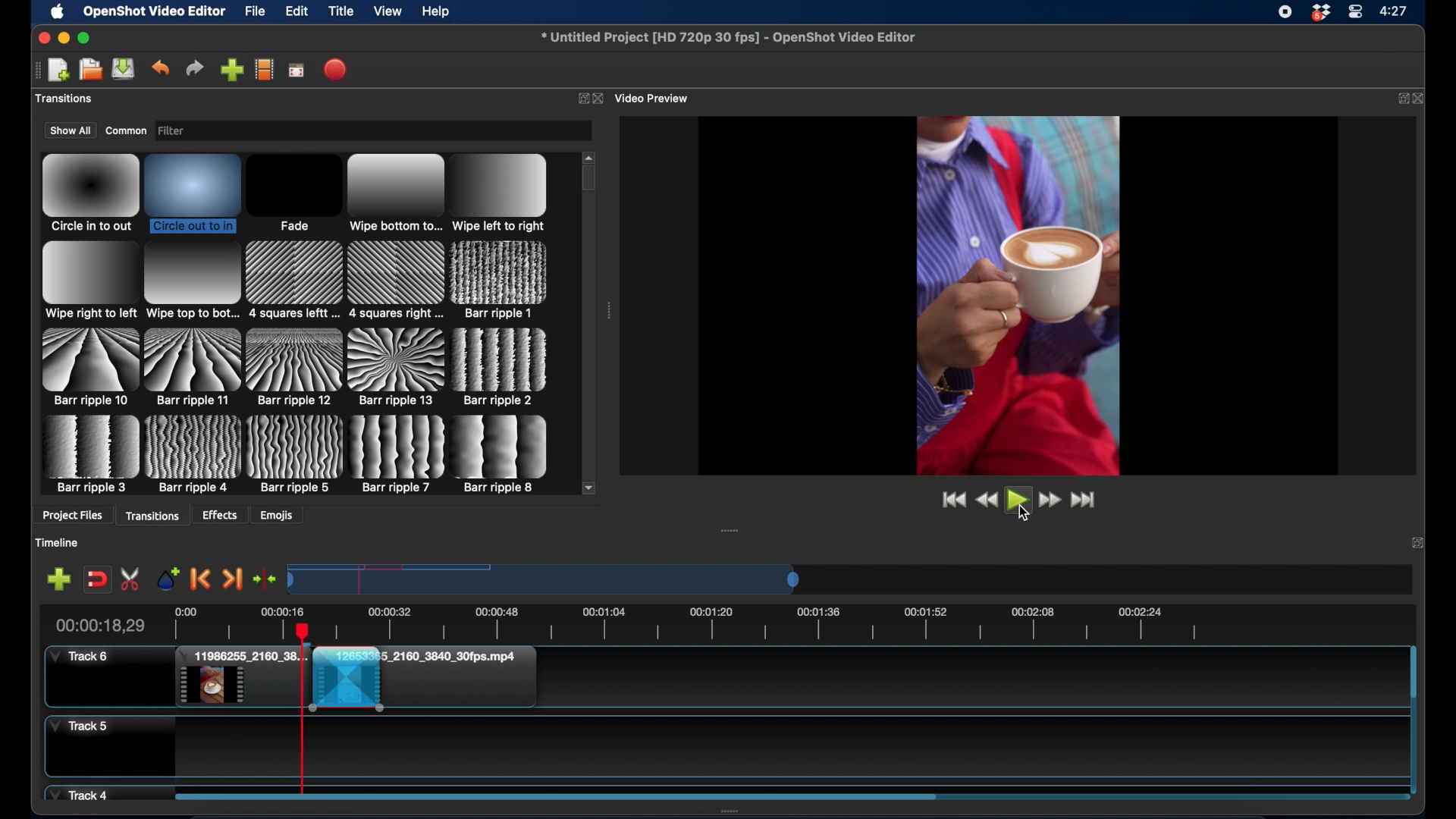  I want to click on timeline, so click(58, 542).